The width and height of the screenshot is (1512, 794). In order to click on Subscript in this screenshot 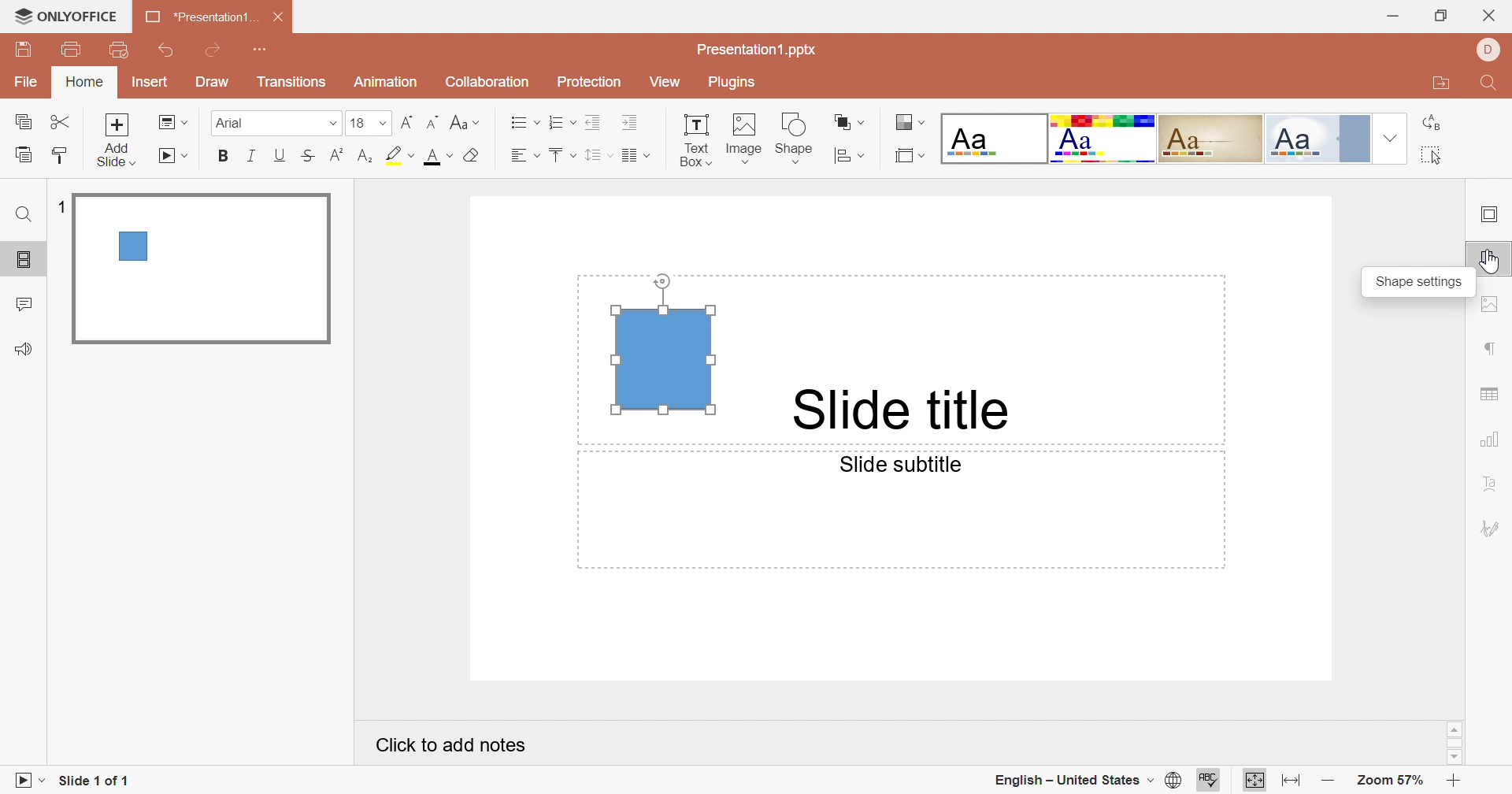, I will do `click(363, 158)`.